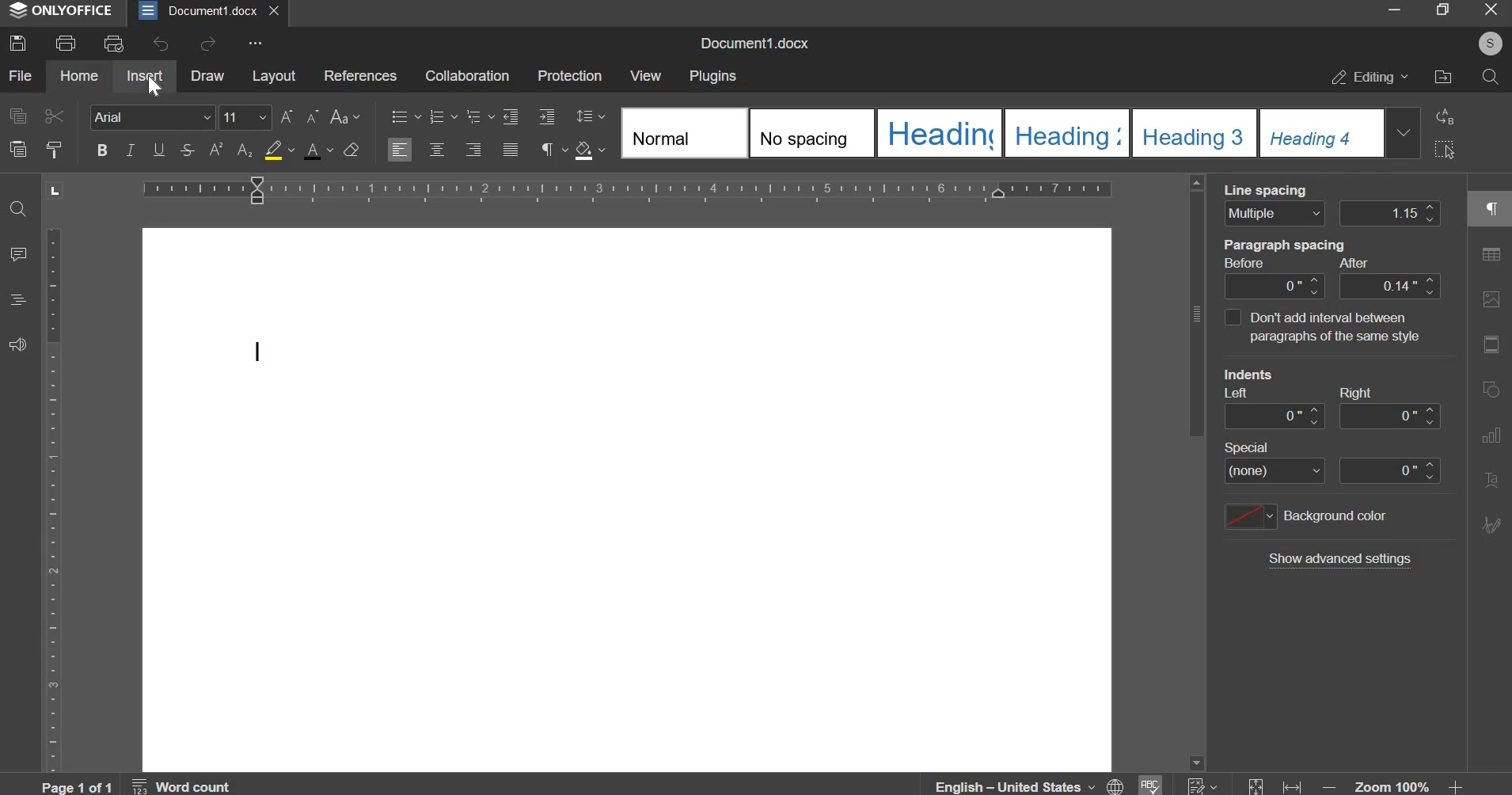 Image resolution: width=1512 pixels, height=795 pixels. Describe the element at coordinates (1305, 516) in the screenshot. I see `background color` at that location.